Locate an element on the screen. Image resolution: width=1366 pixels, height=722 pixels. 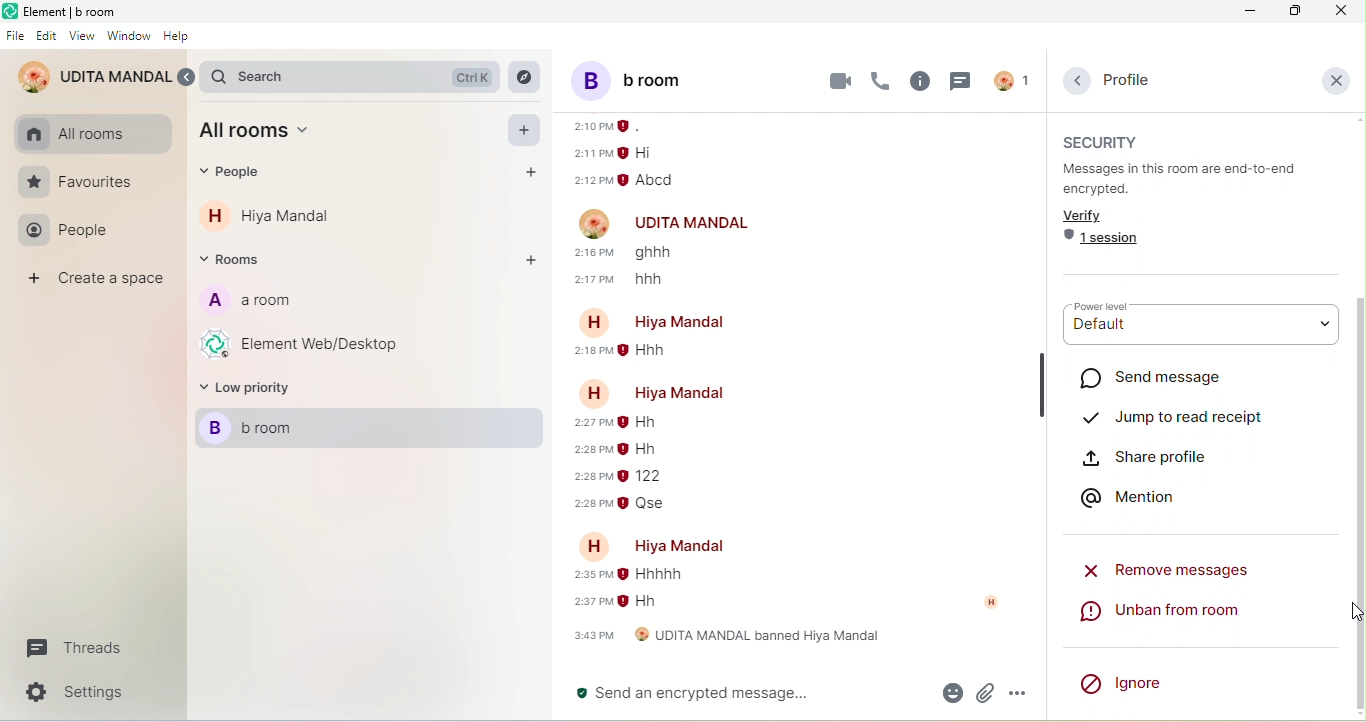
create a space is located at coordinates (100, 281).